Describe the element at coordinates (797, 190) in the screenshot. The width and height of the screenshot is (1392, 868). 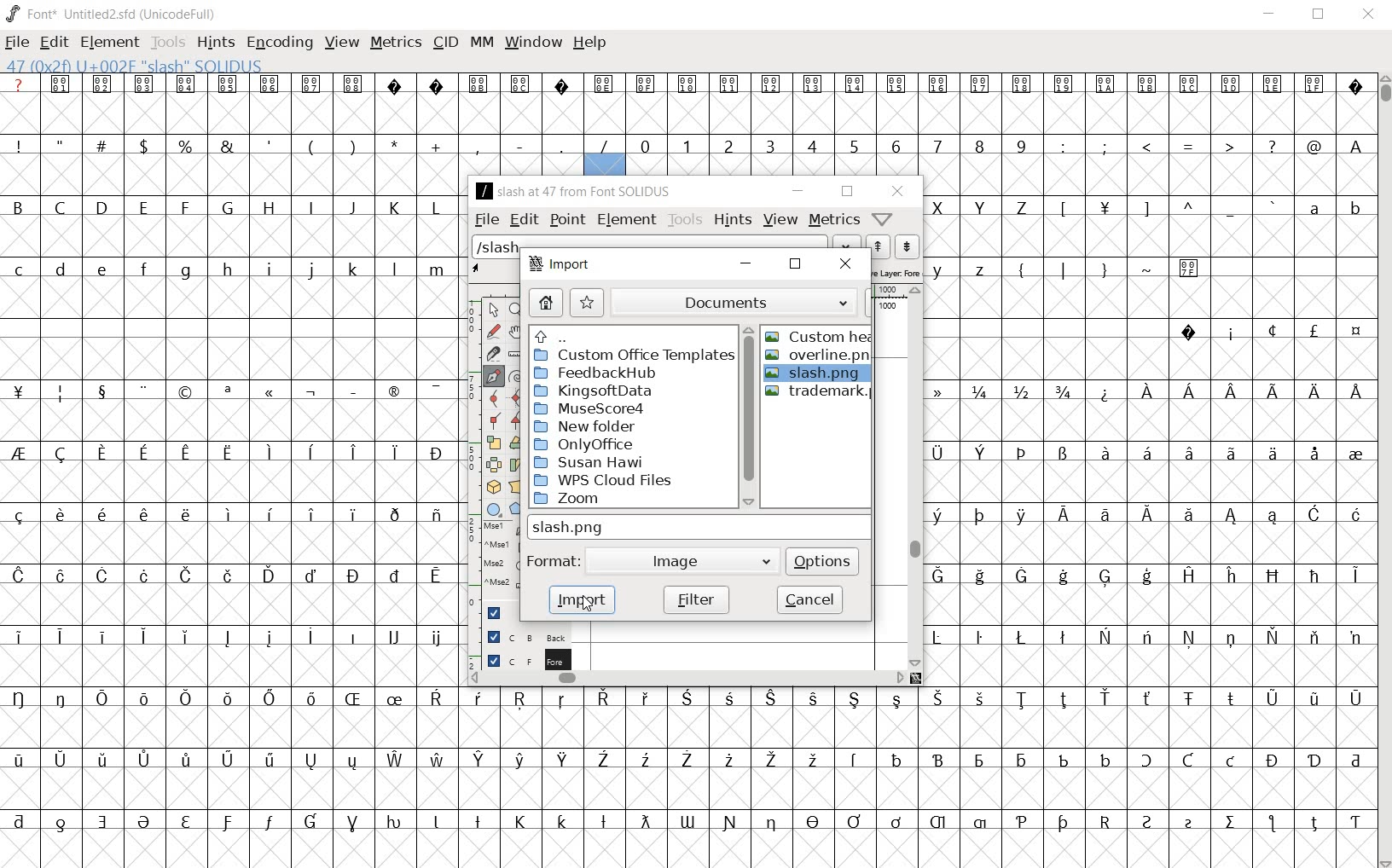
I see `minimize` at that location.